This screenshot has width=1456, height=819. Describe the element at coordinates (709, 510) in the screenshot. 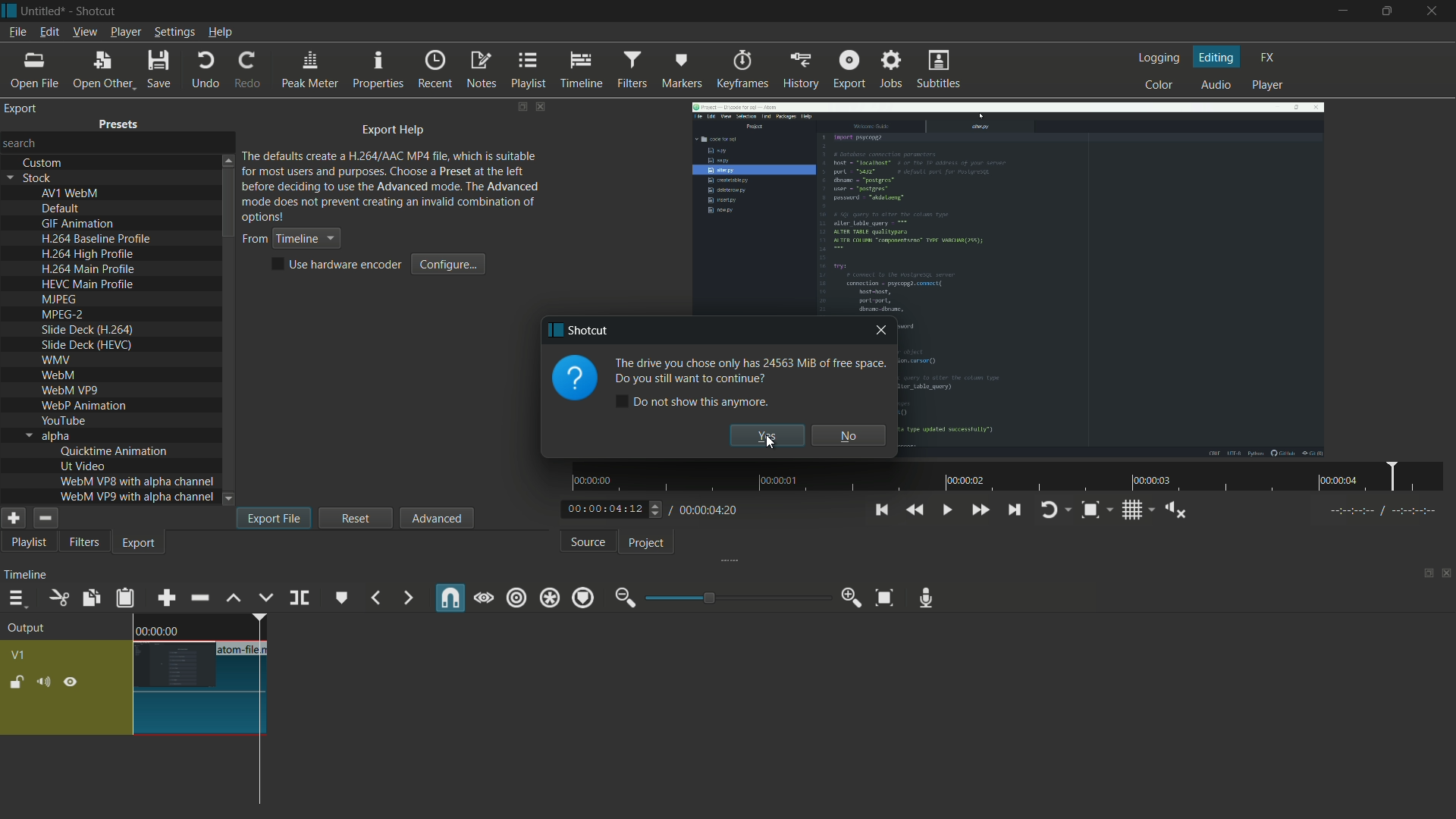

I see `total time` at that location.